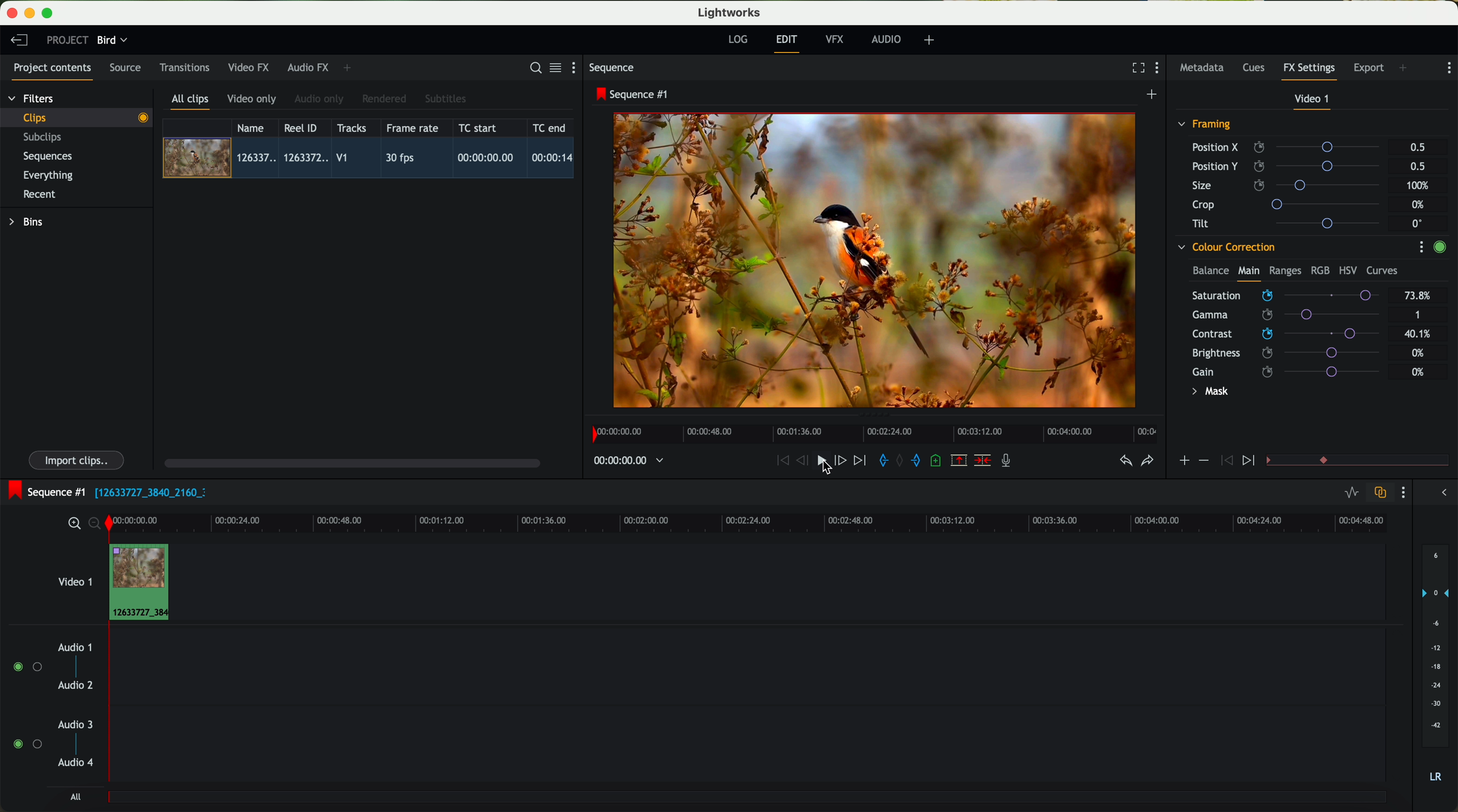 The height and width of the screenshot is (812, 1458). What do you see at coordinates (144, 583) in the screenshot?
I see `drag video to video track 1` at bounding box center [144, 583].